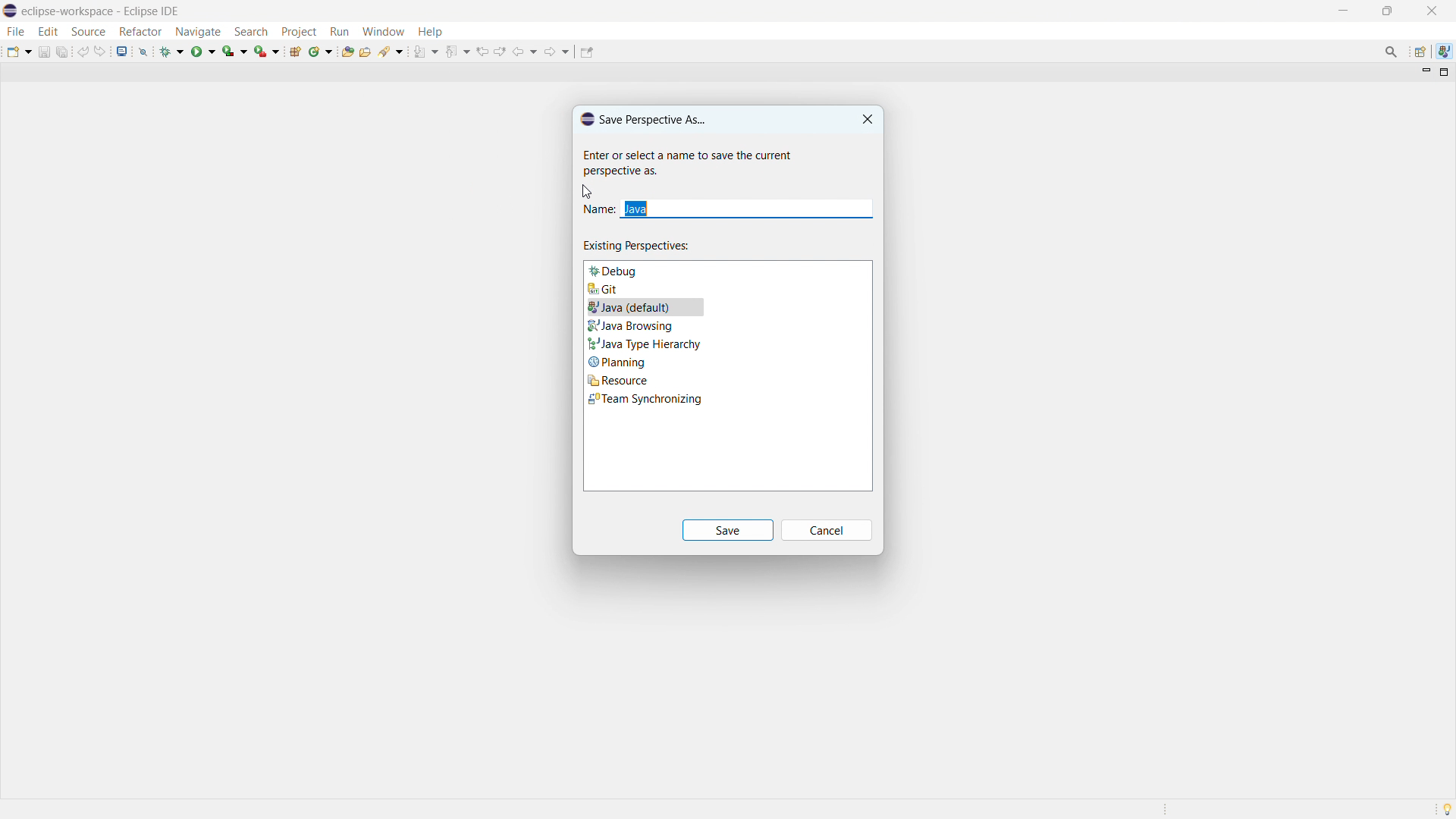 This screenshot has height=819, width=1456. Describe the element at coordinates (235, 50) in the screenshot. I see `coverage` at that location.